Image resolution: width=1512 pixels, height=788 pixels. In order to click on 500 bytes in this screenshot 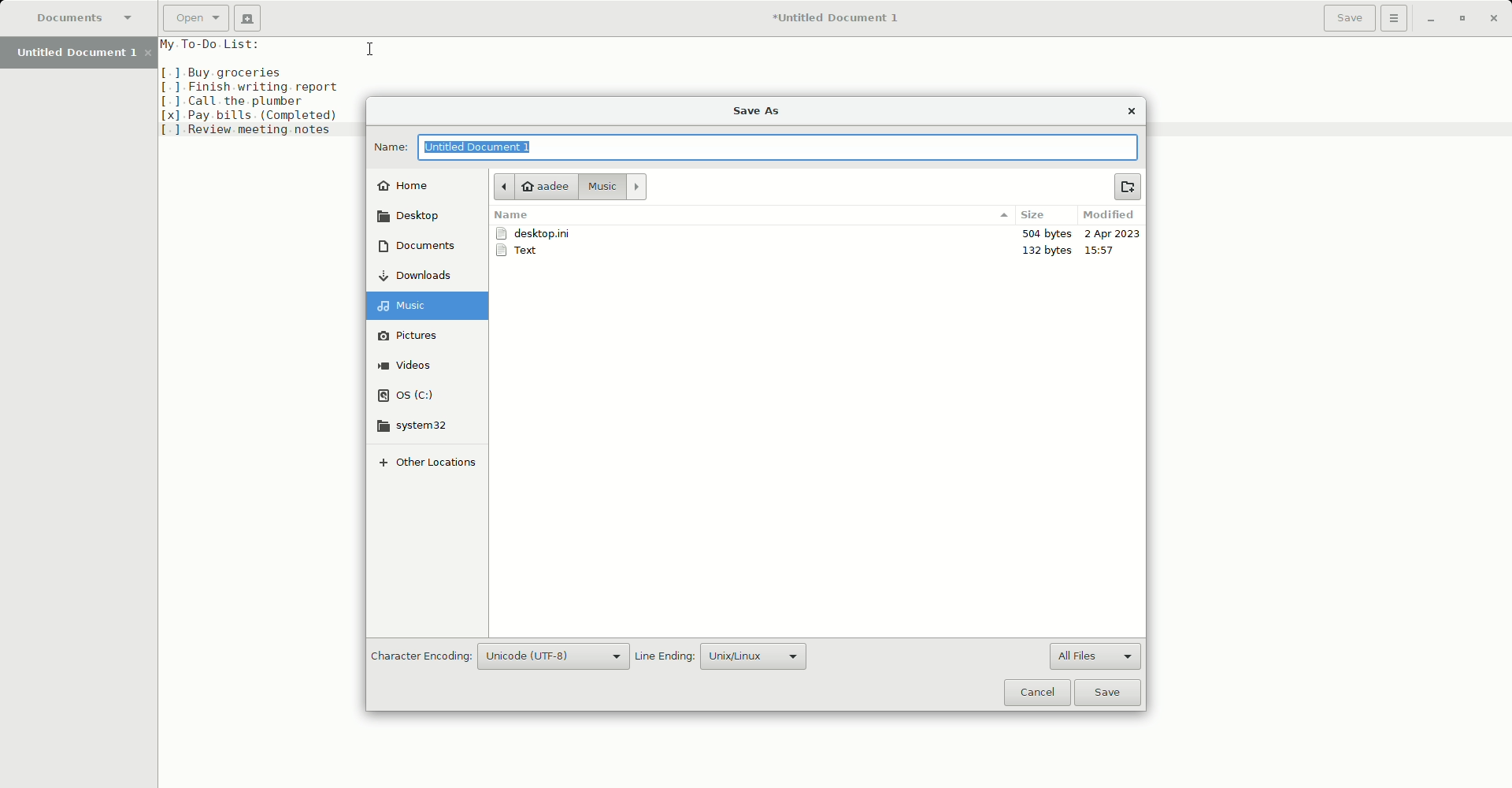, I will do `click(1043, 233)`.